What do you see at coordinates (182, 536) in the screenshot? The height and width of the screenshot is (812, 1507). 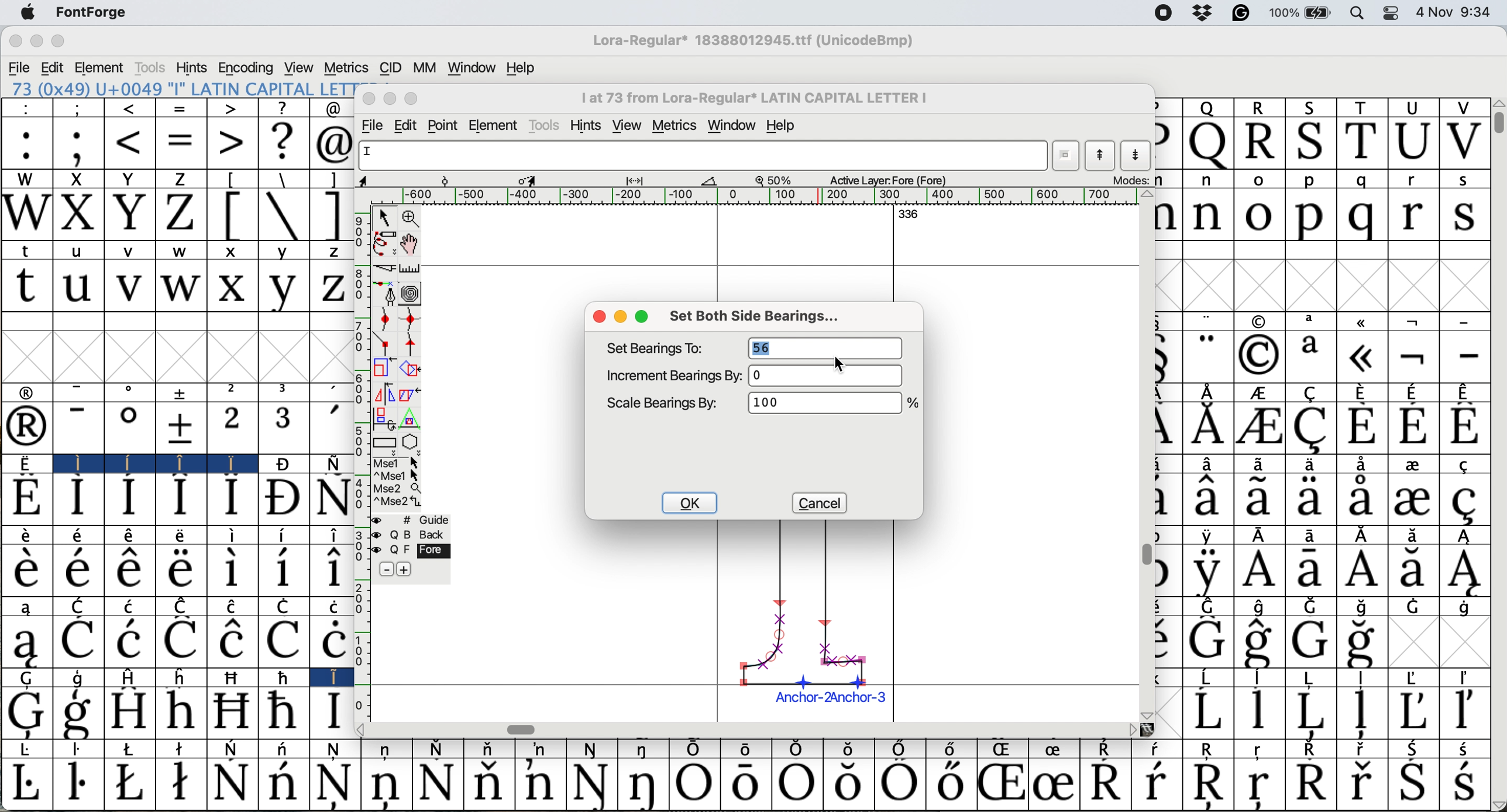 I see `Symbol` at bounding box center [182, 536].